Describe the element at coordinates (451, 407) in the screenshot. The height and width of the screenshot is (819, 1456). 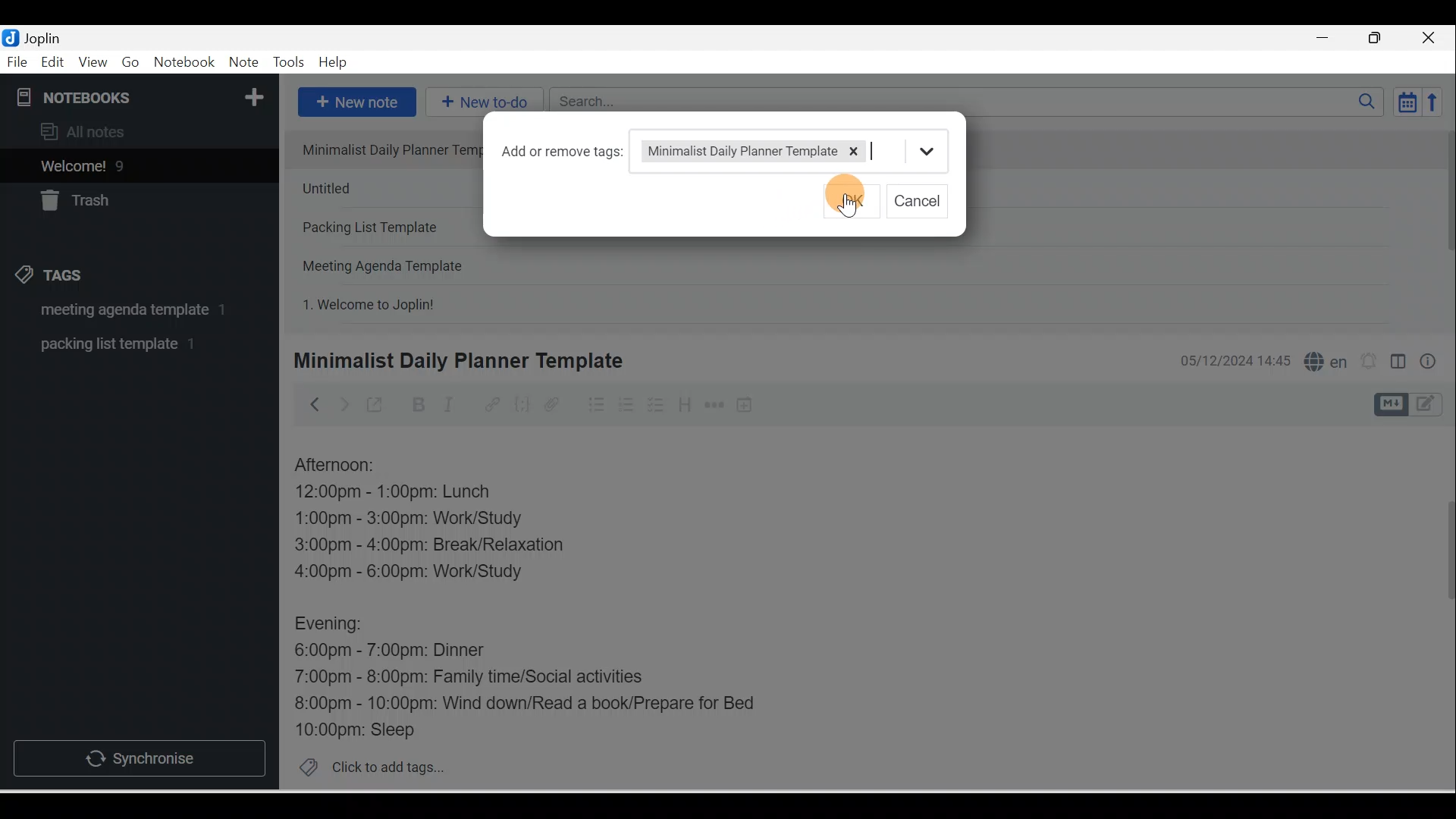
I see `Italic` at that location.